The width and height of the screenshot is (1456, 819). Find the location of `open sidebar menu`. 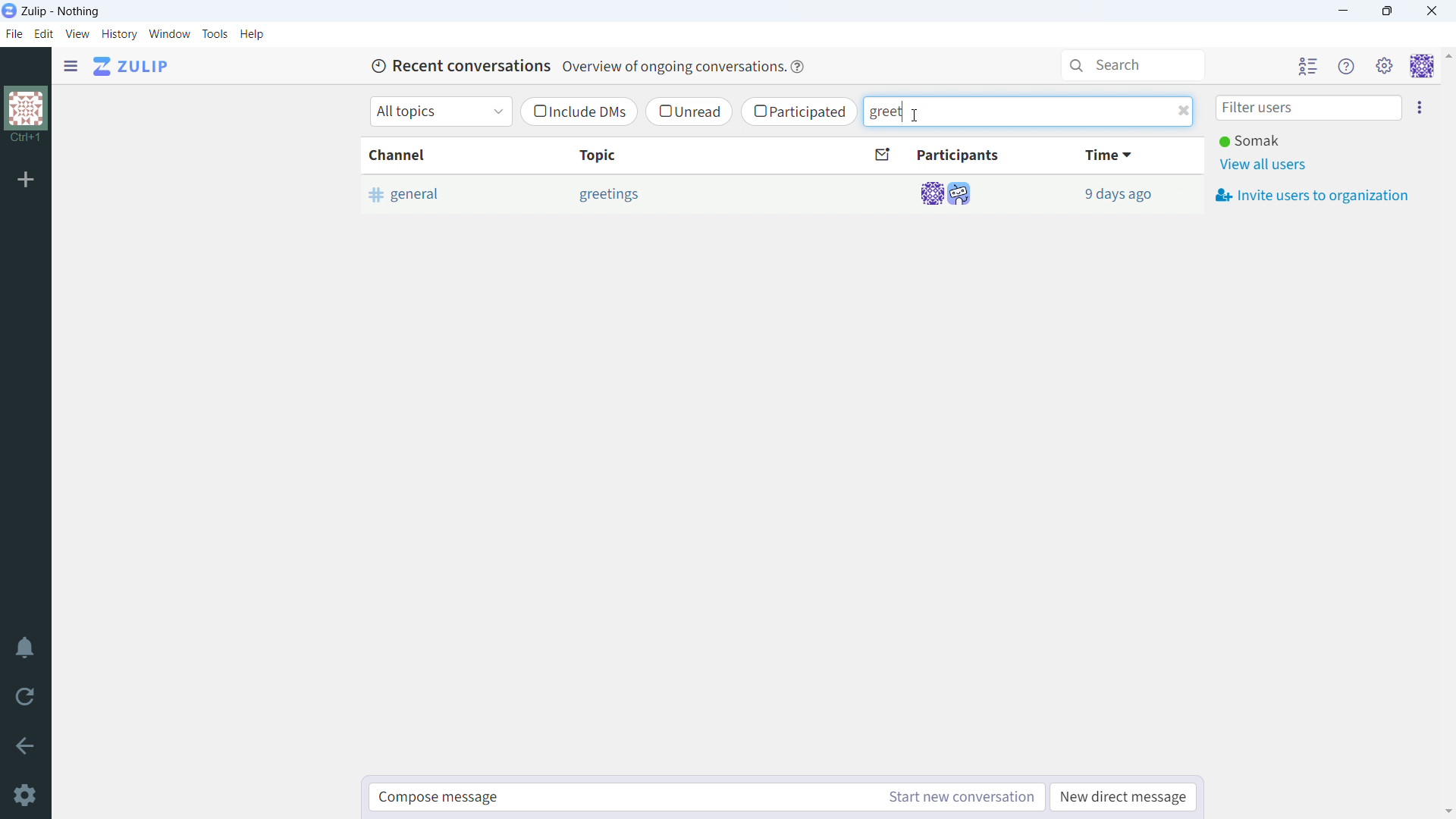

open sidebar menu is located at coordinates (71, 67).